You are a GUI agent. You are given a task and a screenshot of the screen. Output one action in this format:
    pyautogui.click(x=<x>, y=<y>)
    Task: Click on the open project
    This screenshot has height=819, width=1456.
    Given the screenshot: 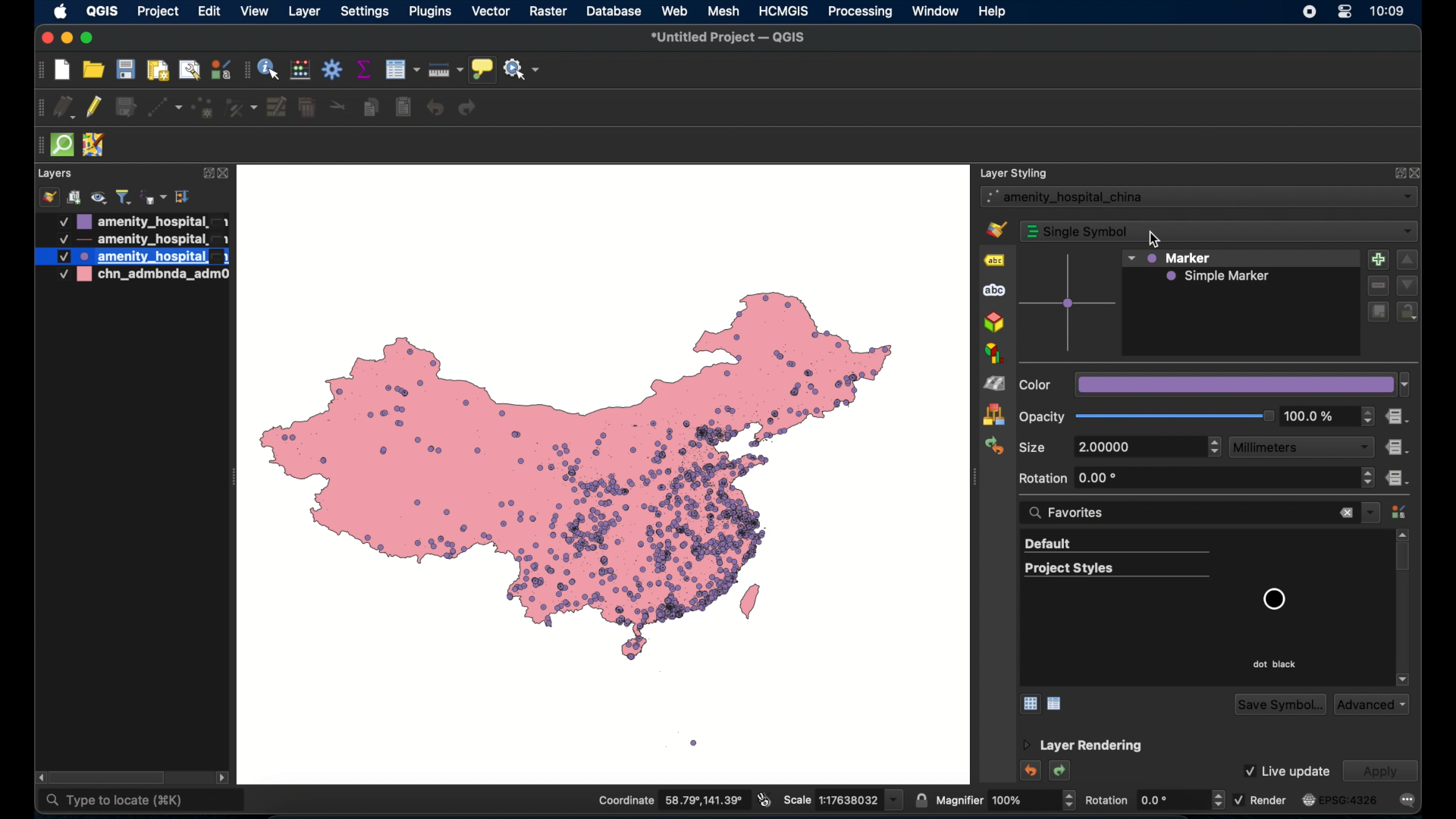 What is the action you would take?
    pyautogui.click(x=93, y=70)
    